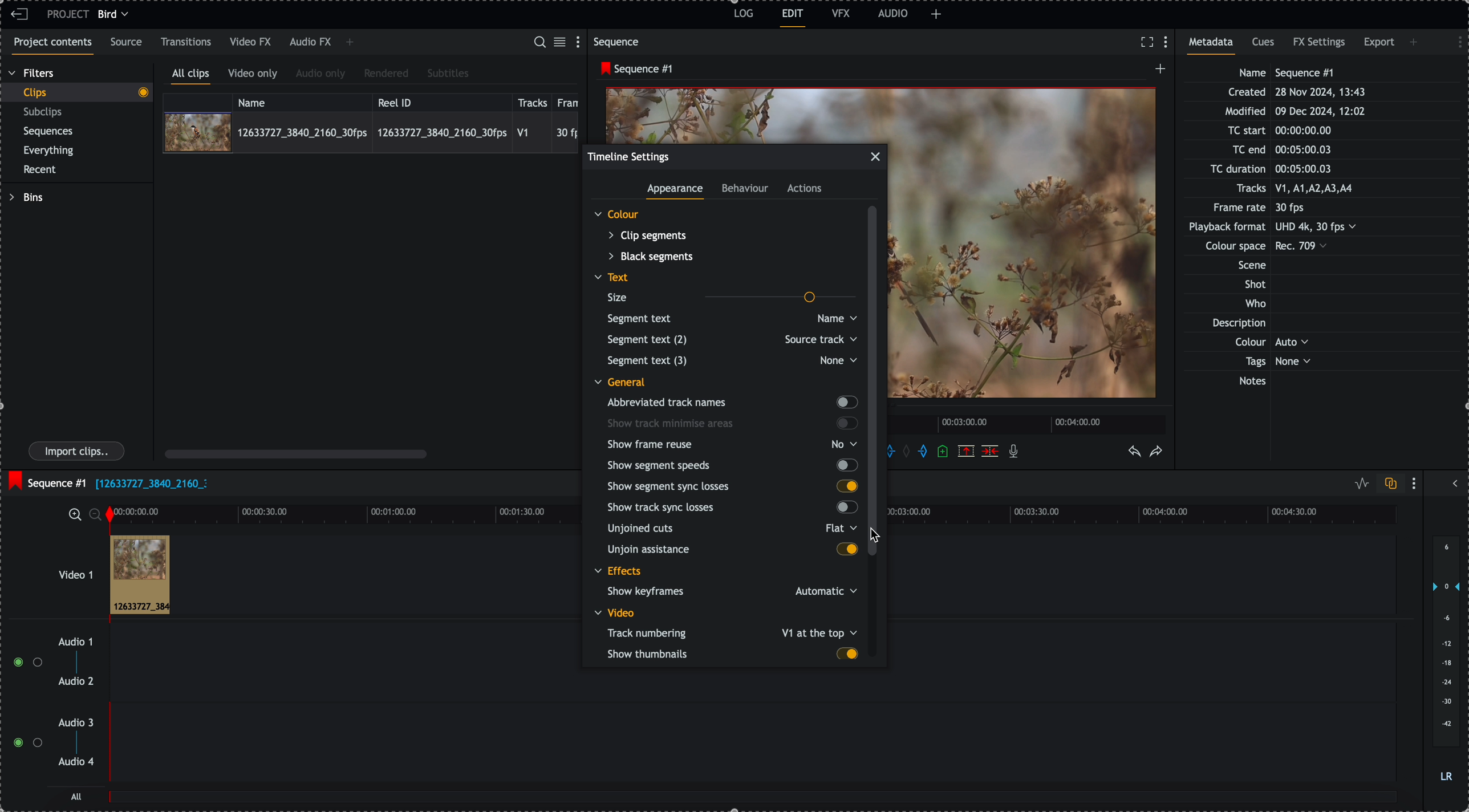 The width and height of the screenshot is (1469, 812). Describe the element at coordinates (19, 15) in the screenshot. I see `leave` at that location.